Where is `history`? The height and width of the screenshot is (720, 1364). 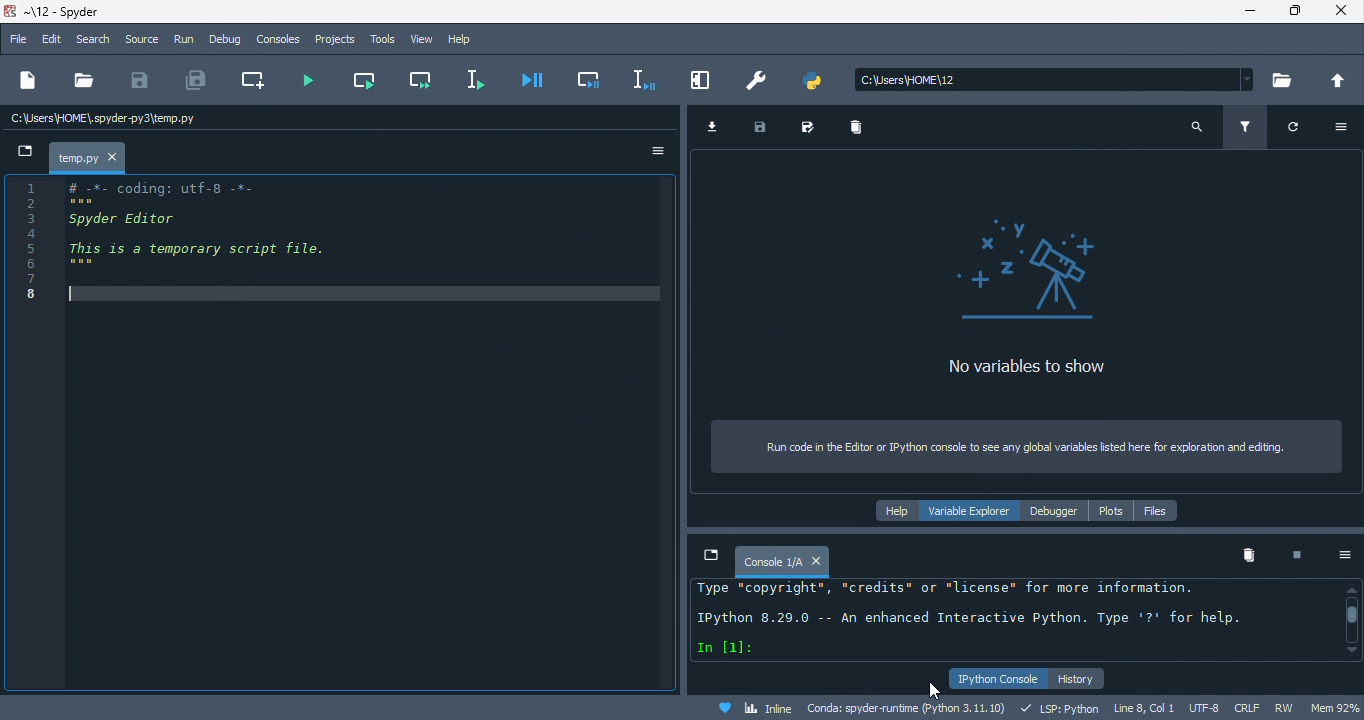
history is located at coordinates (1077, 679).